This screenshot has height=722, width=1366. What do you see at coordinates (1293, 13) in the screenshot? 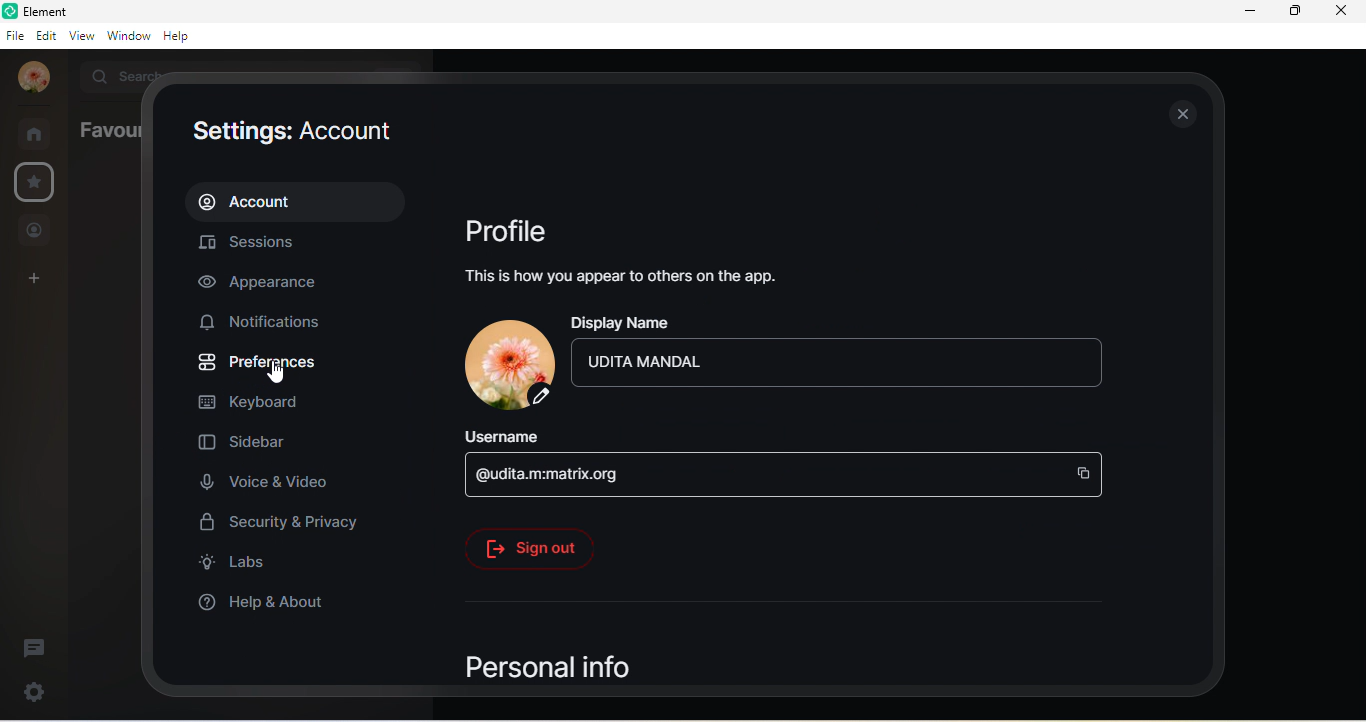
I see `maximize` at bounding box center [1293, 13].